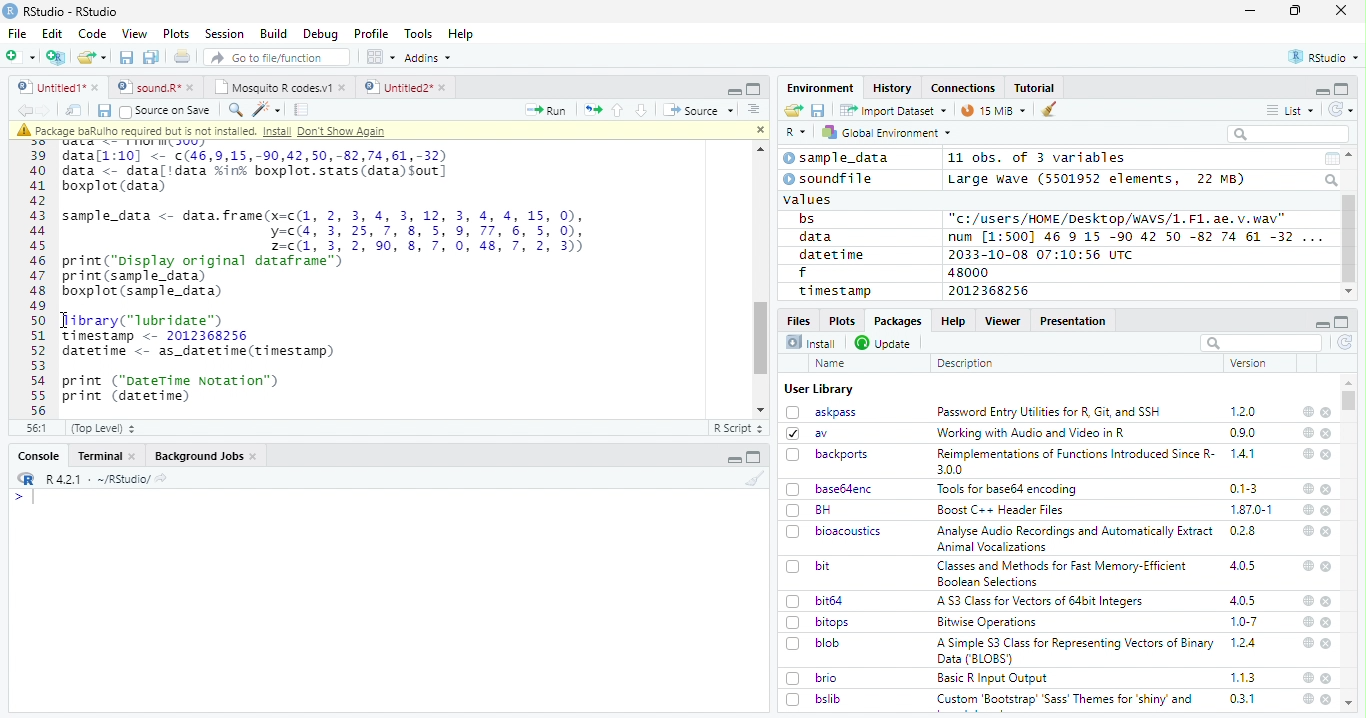 The width and height of the screenshot is (1366, 718). What do you see at coordinates (278, 57) in the screenshot?
I see `Go to file/function` at bounding box center [278, 57].